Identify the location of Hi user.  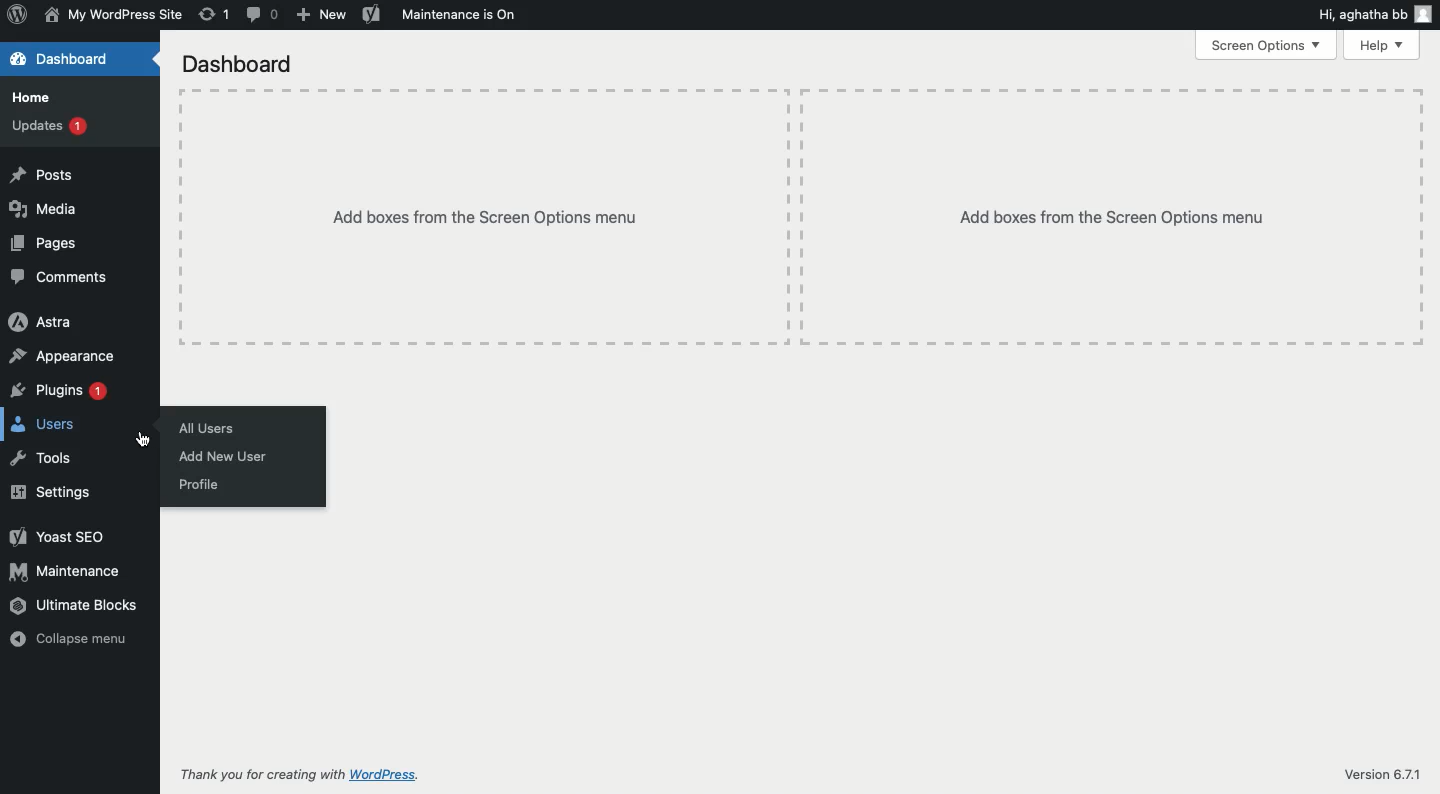
(1374, 15).